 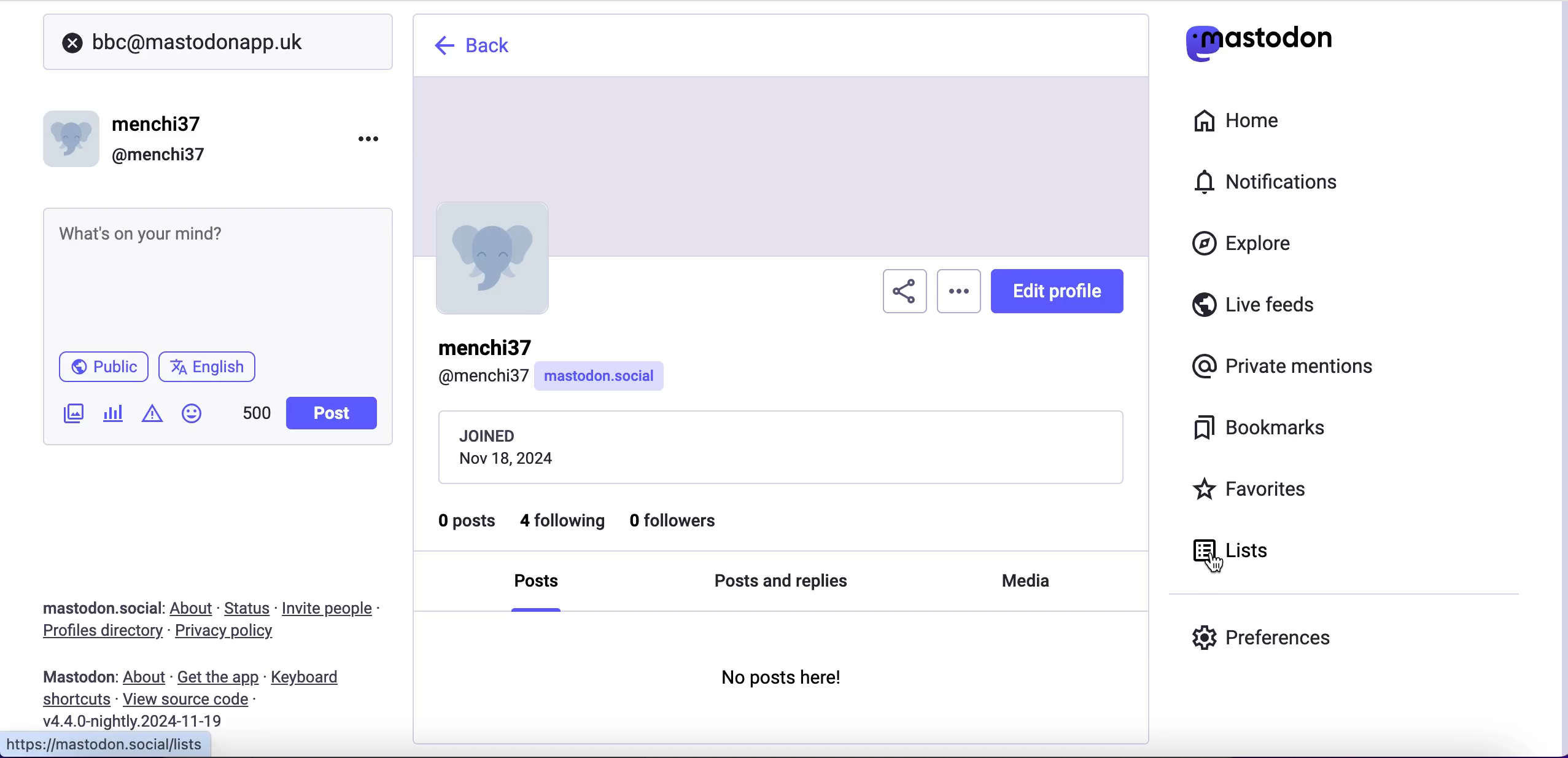 I want to click on live feeds, so click(x=1254, y=309).